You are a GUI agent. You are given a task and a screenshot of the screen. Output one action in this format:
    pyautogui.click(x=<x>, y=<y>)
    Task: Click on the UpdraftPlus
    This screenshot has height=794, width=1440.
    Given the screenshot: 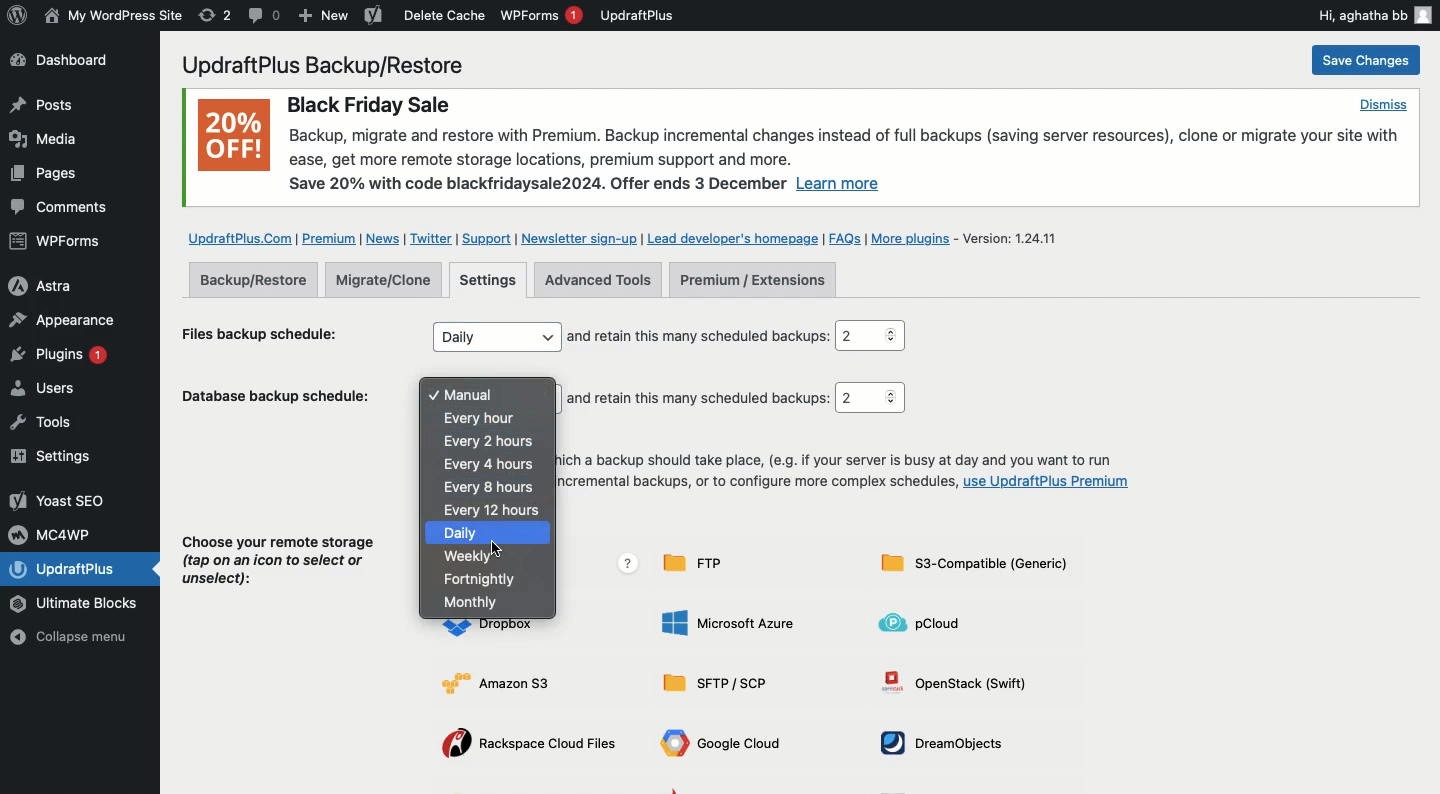 What is the action you would take?
    pyautogui.click(x=638, y=15)
    